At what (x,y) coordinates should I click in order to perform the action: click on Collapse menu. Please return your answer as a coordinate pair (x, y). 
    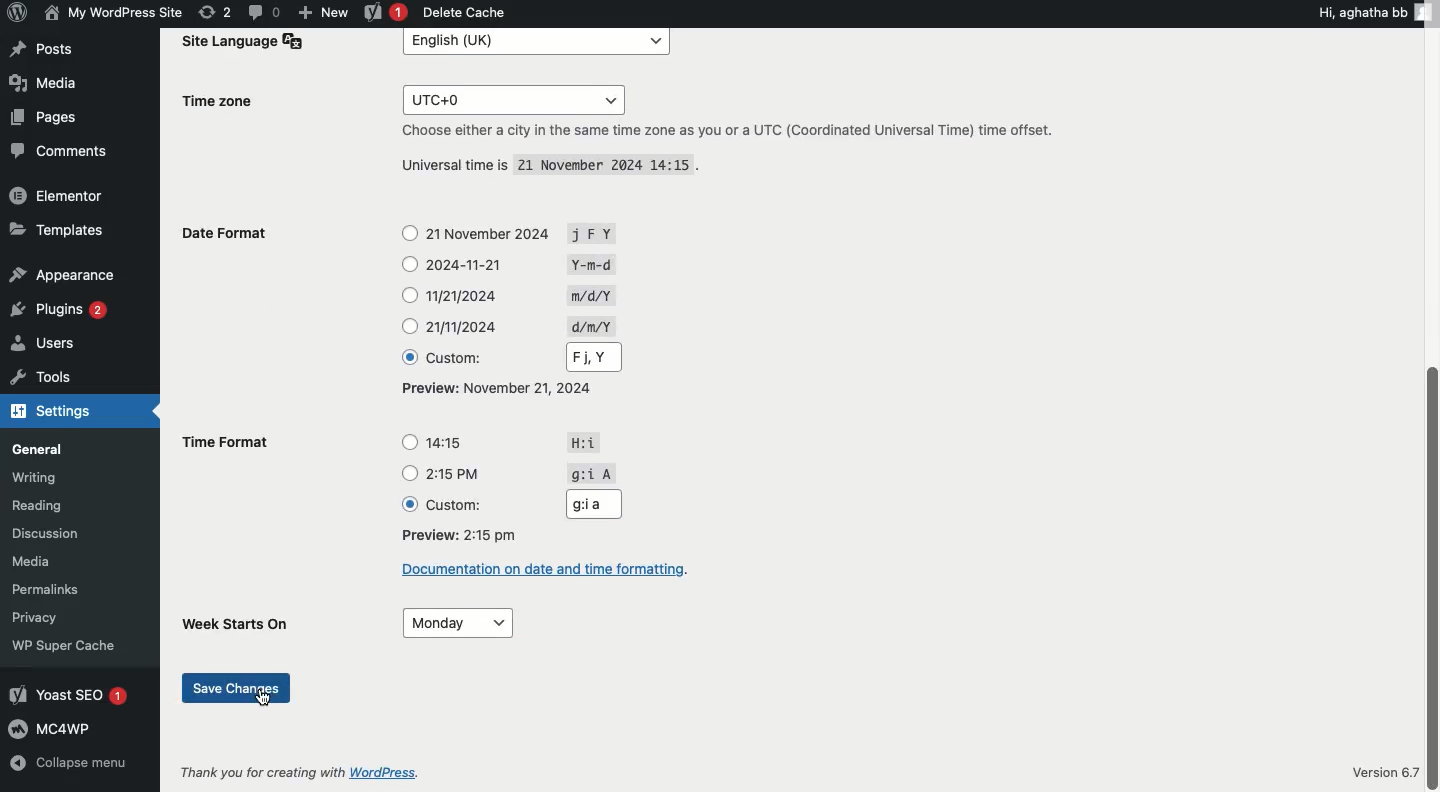
    Looking at the image, I should click on (73, 765).